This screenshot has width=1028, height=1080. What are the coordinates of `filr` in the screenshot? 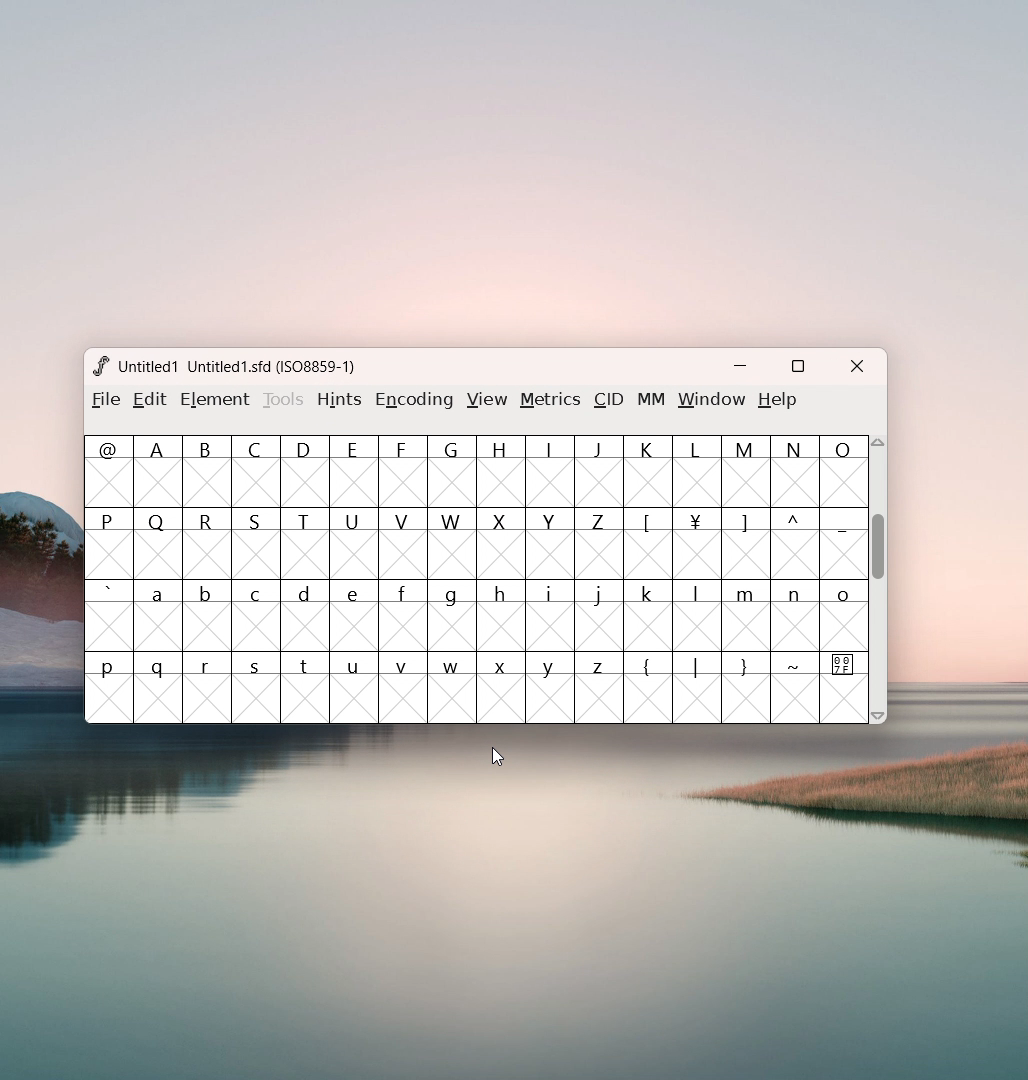 It's located at (106, 400).